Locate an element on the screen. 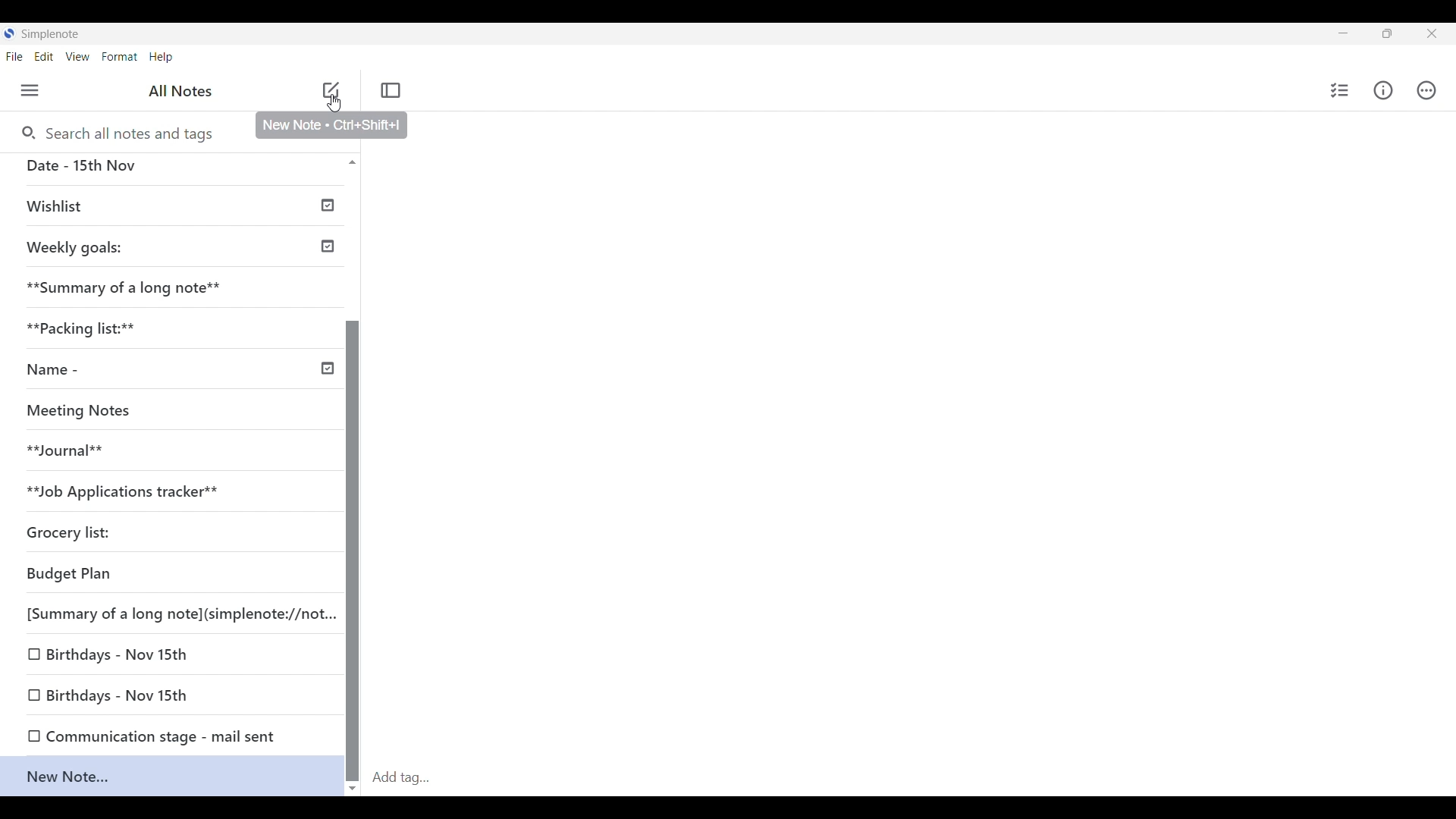 This screenshot has height=819, width=1456. Minimize is located at coordinates (1343, 33).